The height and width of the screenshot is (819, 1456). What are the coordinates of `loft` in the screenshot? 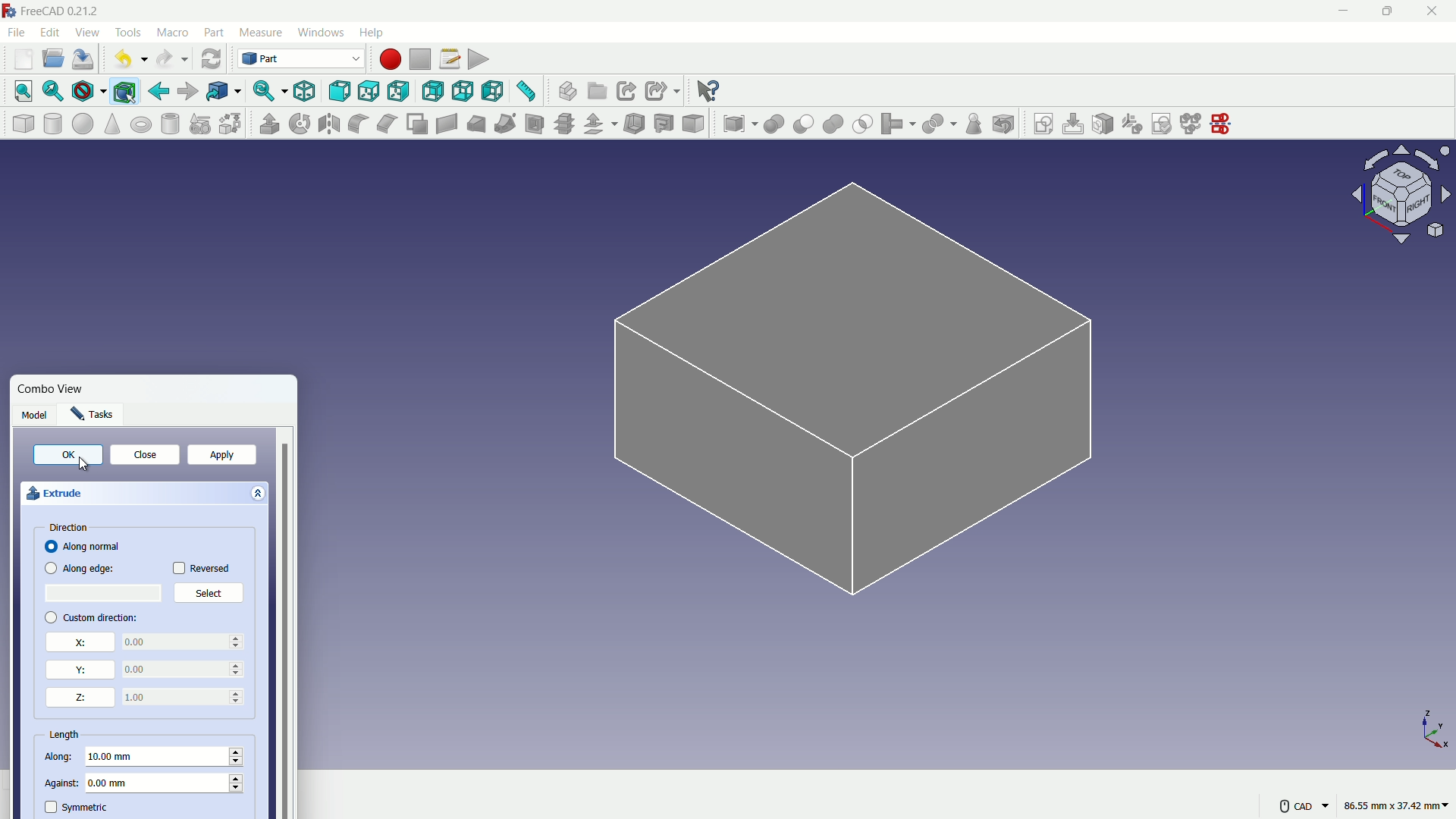 It's located at (477, 124).